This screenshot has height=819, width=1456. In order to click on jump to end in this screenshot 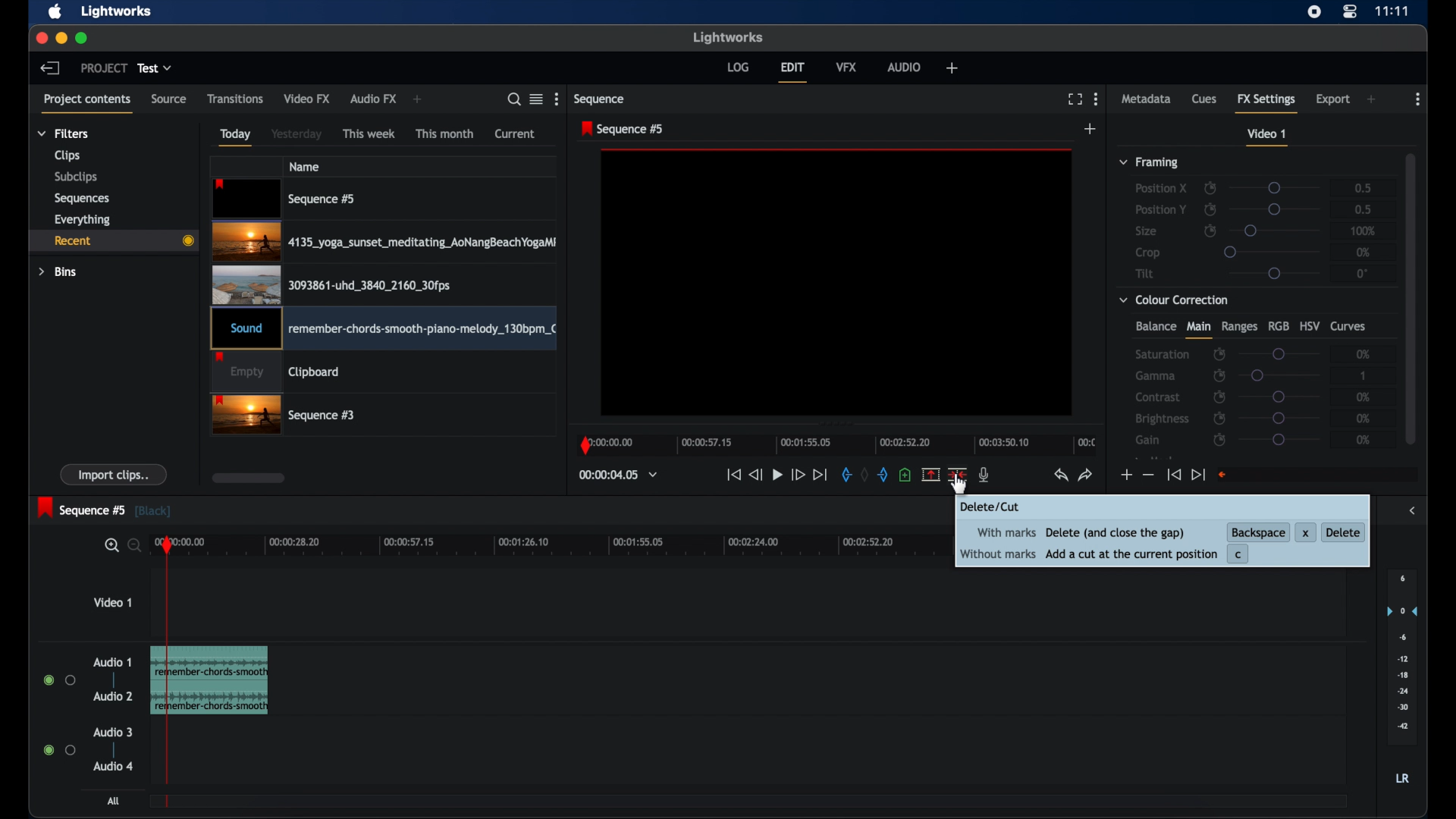, I will do `click(821, 475)`.